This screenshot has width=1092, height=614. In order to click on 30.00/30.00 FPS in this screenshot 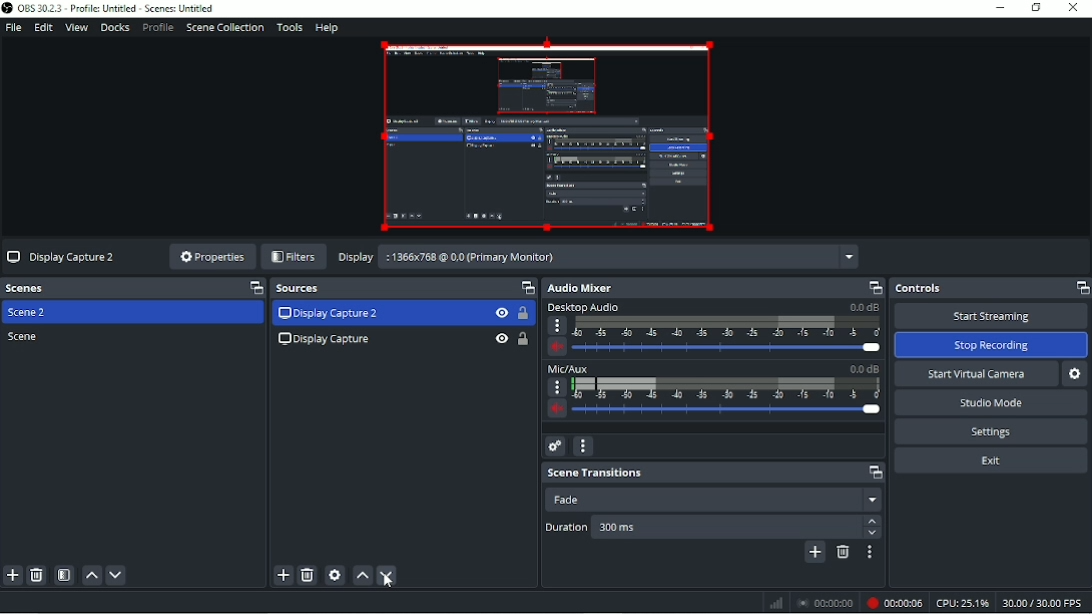, I will do `click(1044, 603)`.